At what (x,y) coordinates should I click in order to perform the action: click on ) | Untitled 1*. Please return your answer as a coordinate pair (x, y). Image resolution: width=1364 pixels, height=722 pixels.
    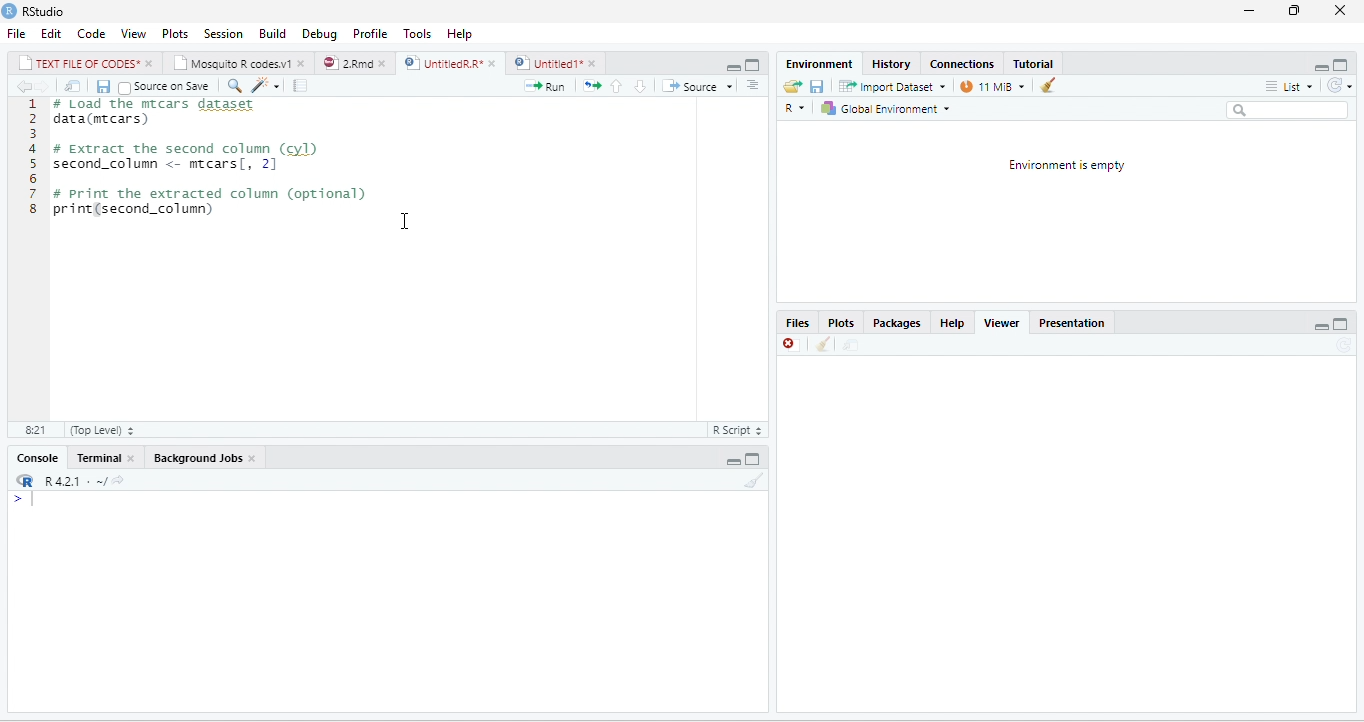
    Looking at the image, I should click on (547, 63).